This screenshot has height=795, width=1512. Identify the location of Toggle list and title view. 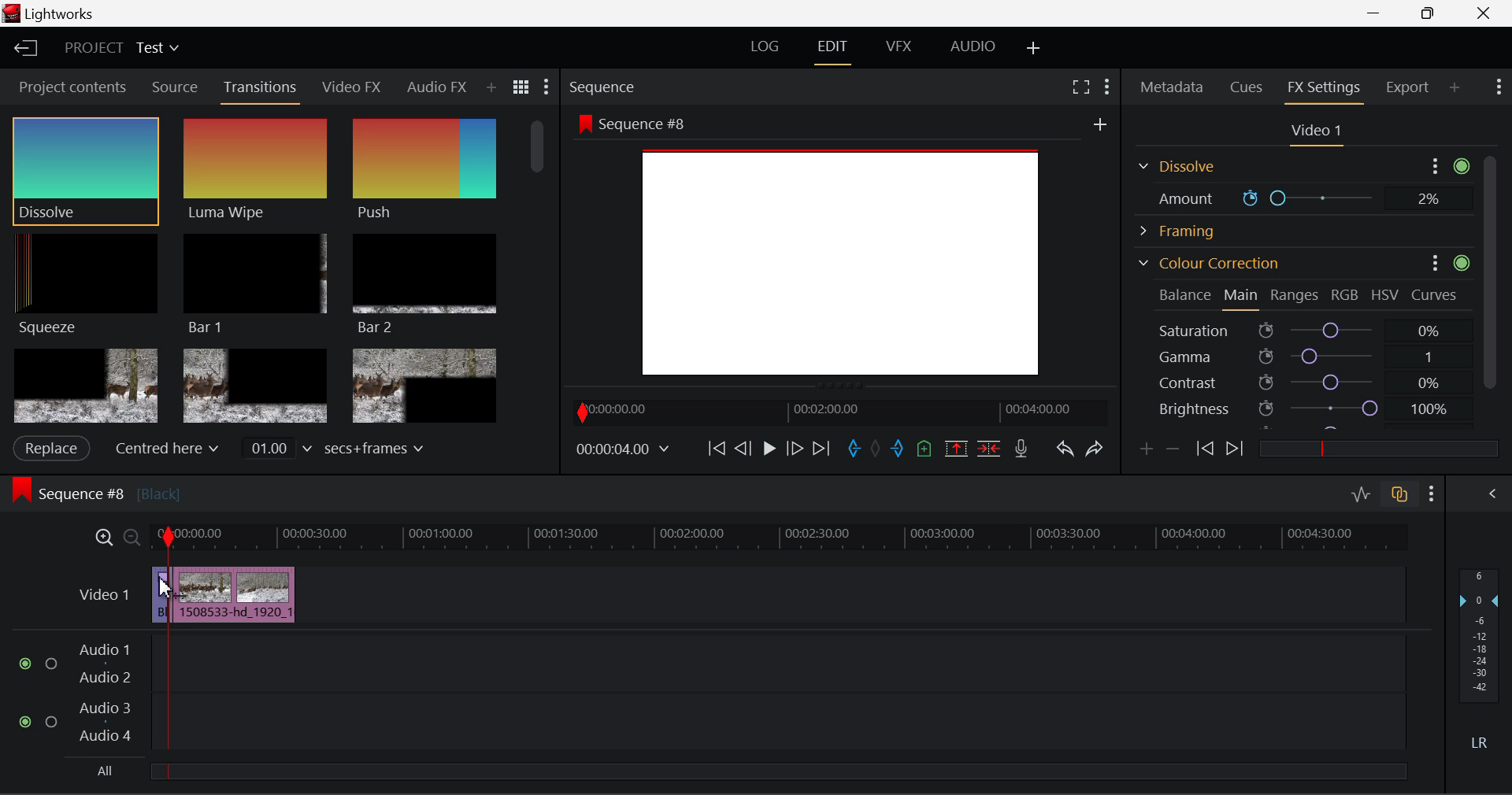
(521, 87).